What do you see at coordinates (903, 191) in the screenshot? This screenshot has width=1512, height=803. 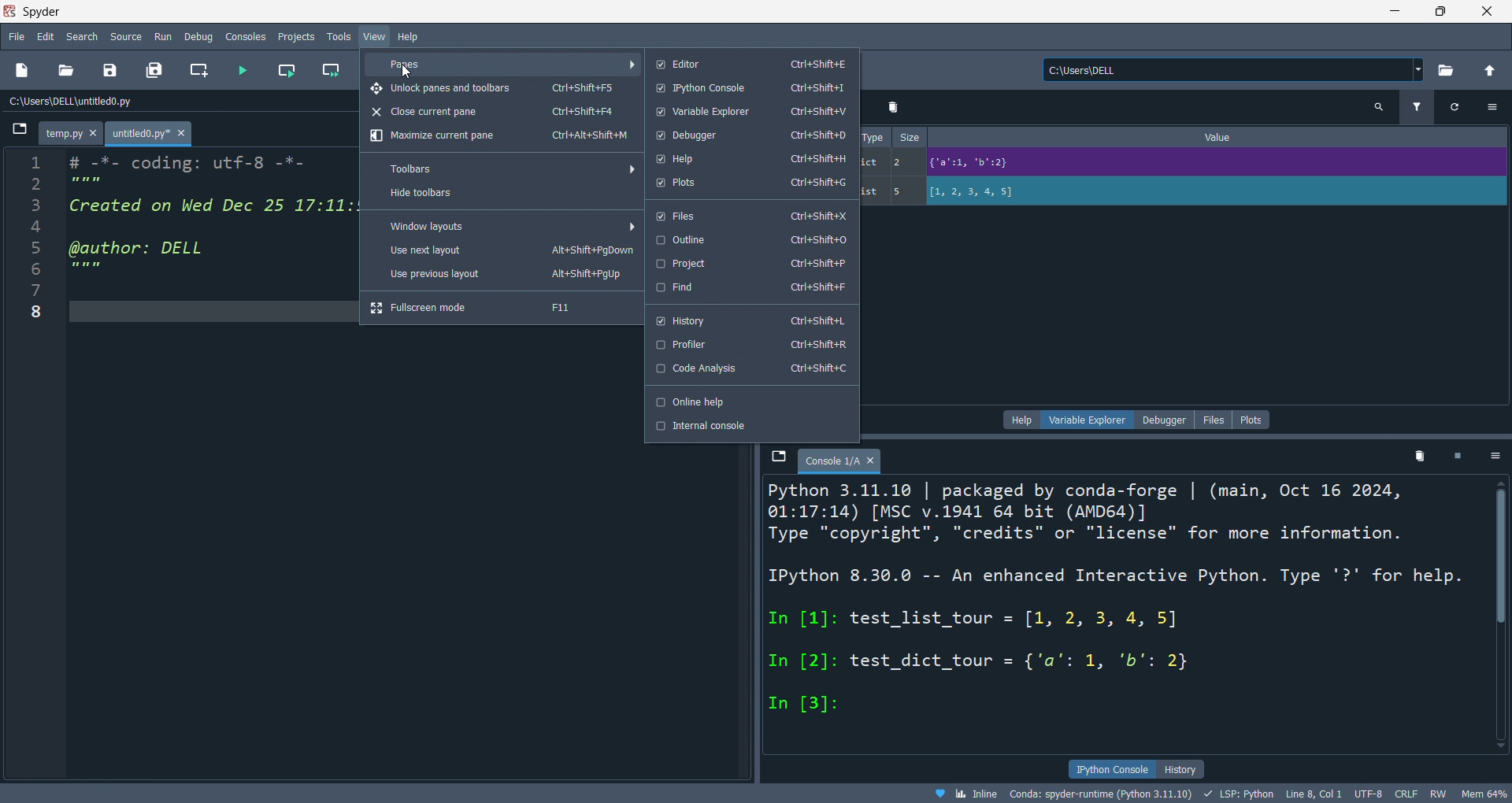 I see `5` at bounding box center [903, 191].